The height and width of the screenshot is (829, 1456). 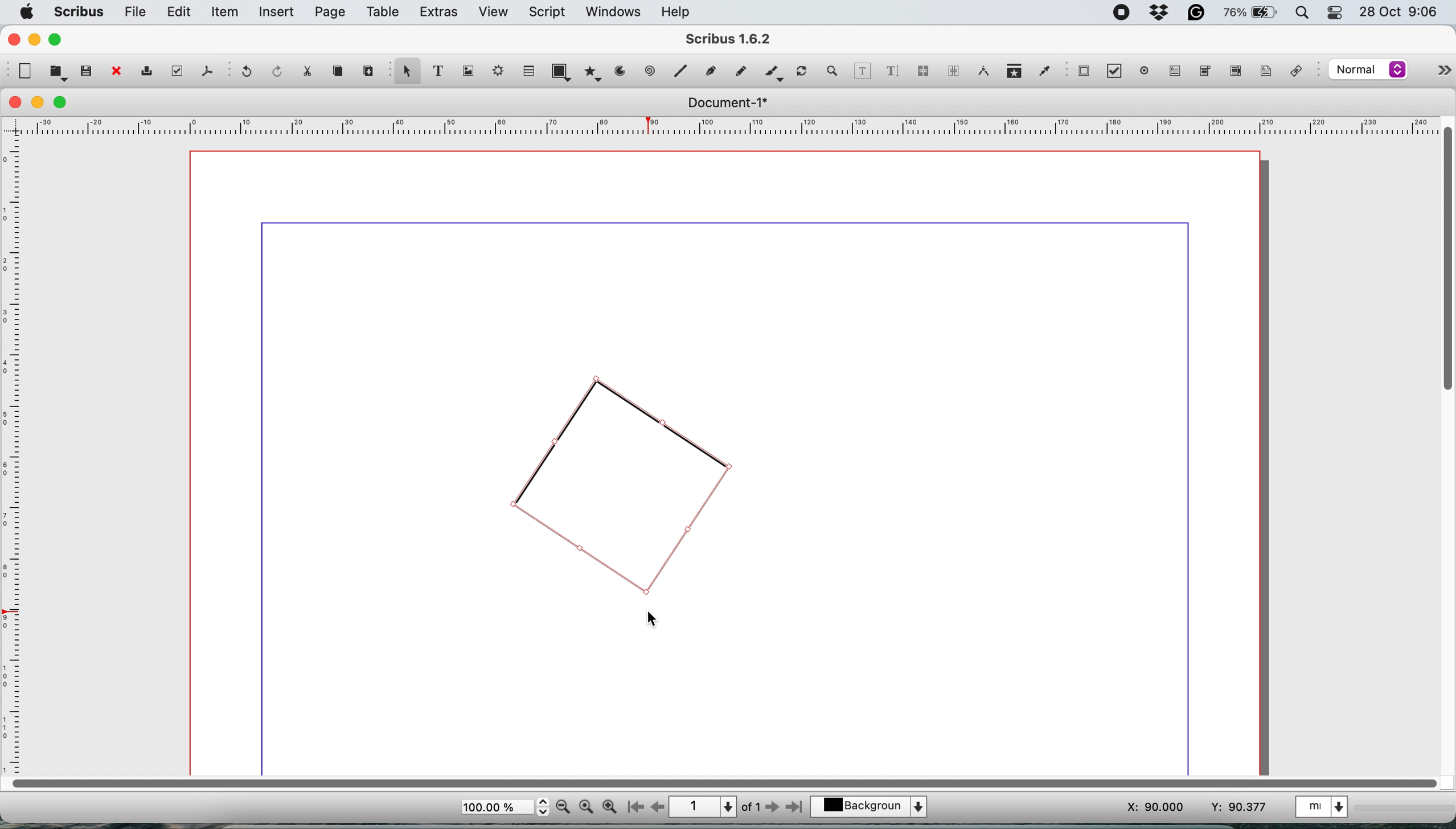 What do you see at coordinates (683, 72) in the screenshot?
I see `spiral` at bounding box center [683, 72].